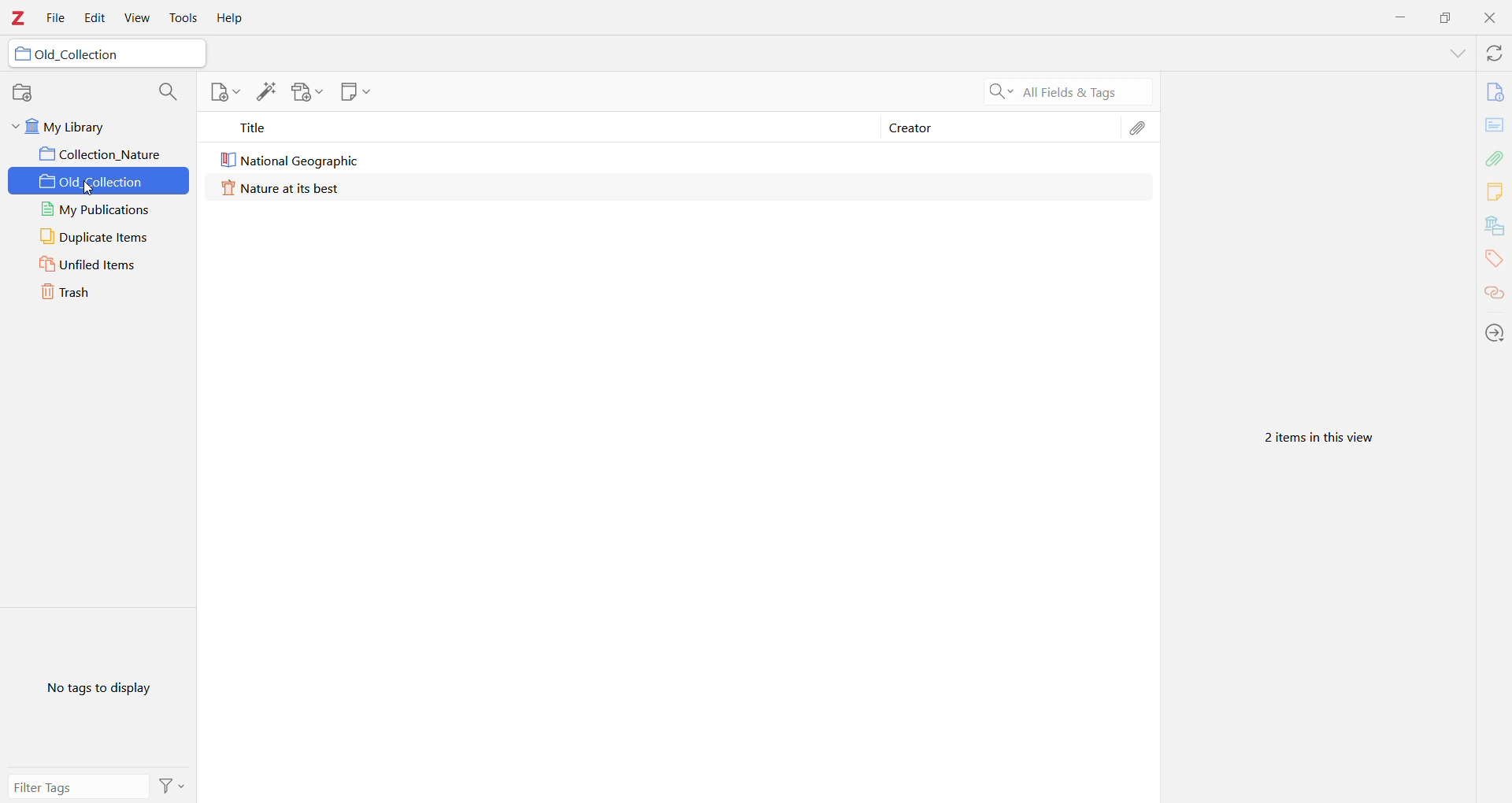 The width and height of the screenshot is (1512, 803). Describe the element at coordinates (1494, 193) in the screenshot. I see `Notes` at that location.